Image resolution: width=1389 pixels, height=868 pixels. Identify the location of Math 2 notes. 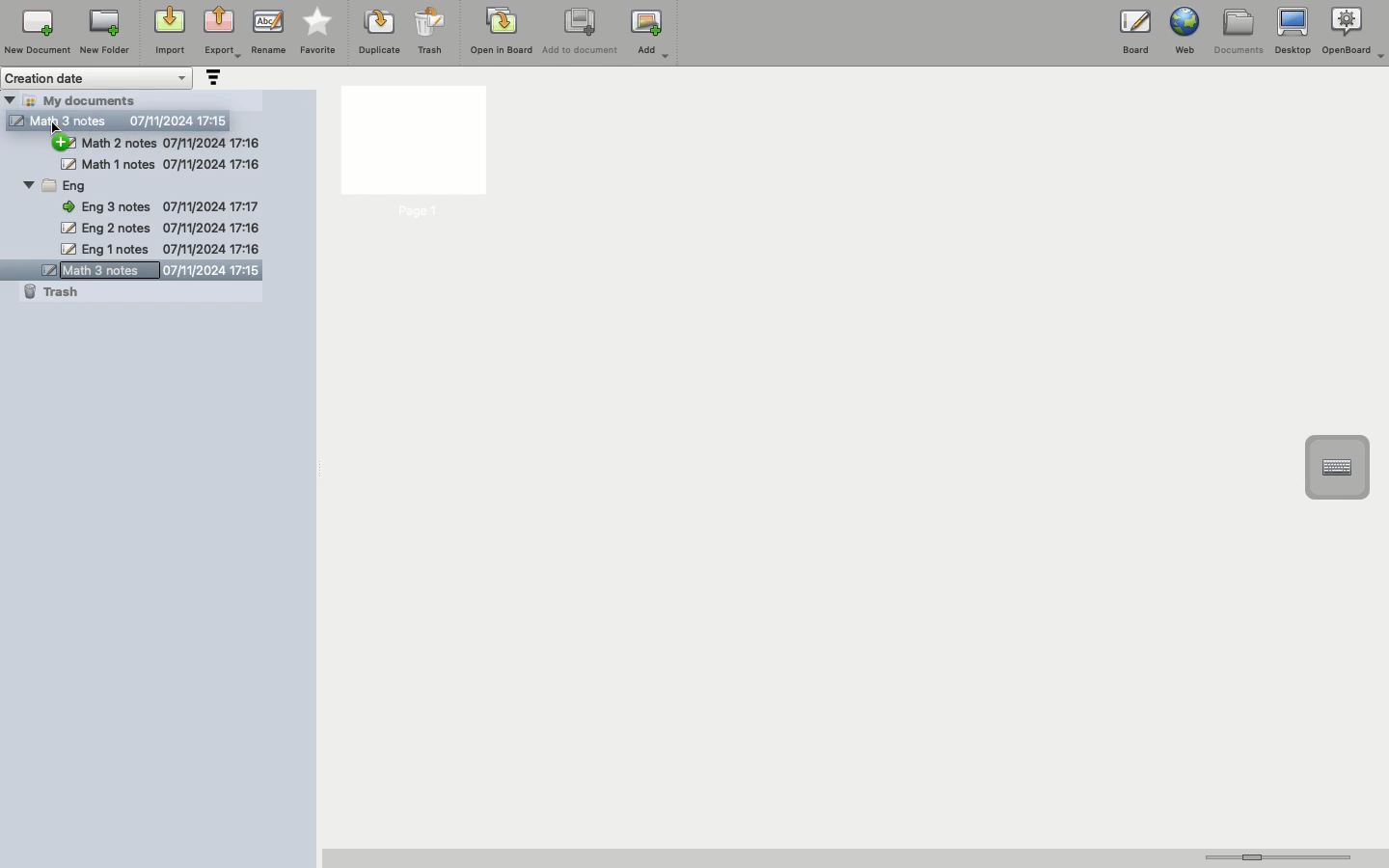
(162, 164).